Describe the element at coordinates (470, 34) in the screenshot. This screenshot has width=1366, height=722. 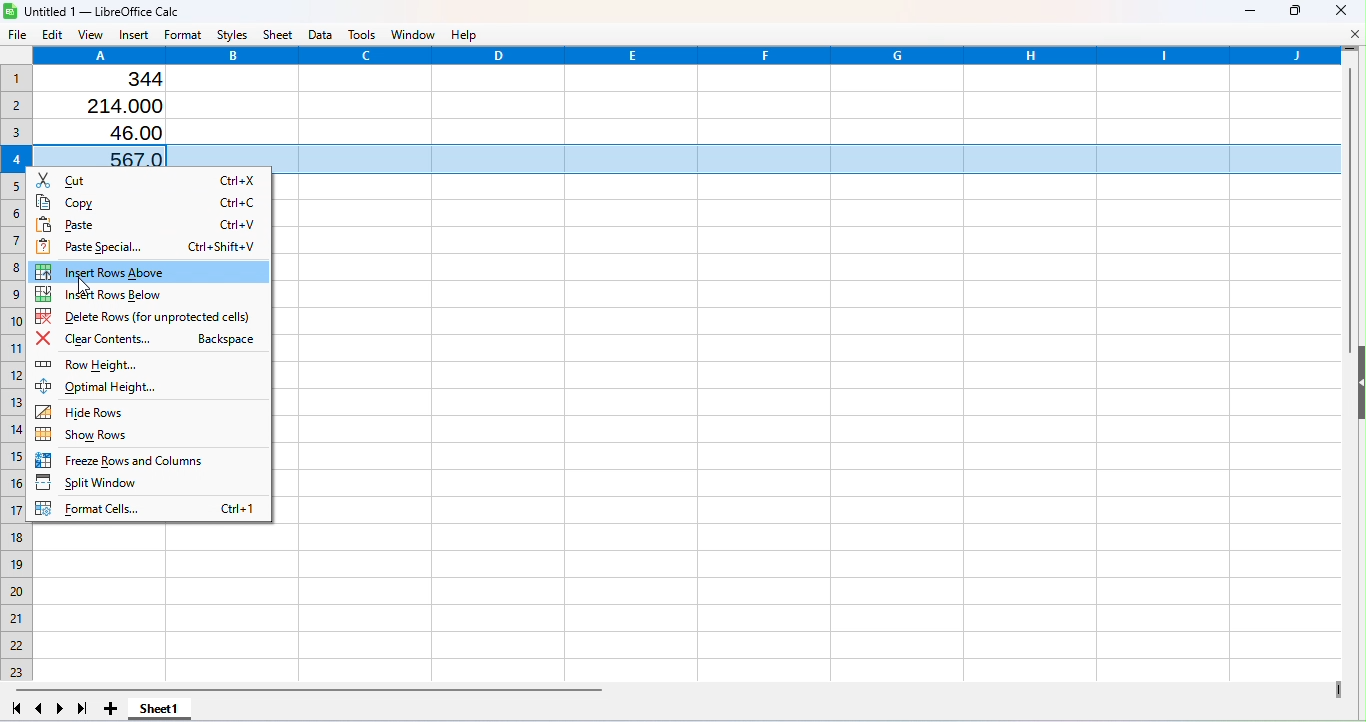
I see `Help` at that location.